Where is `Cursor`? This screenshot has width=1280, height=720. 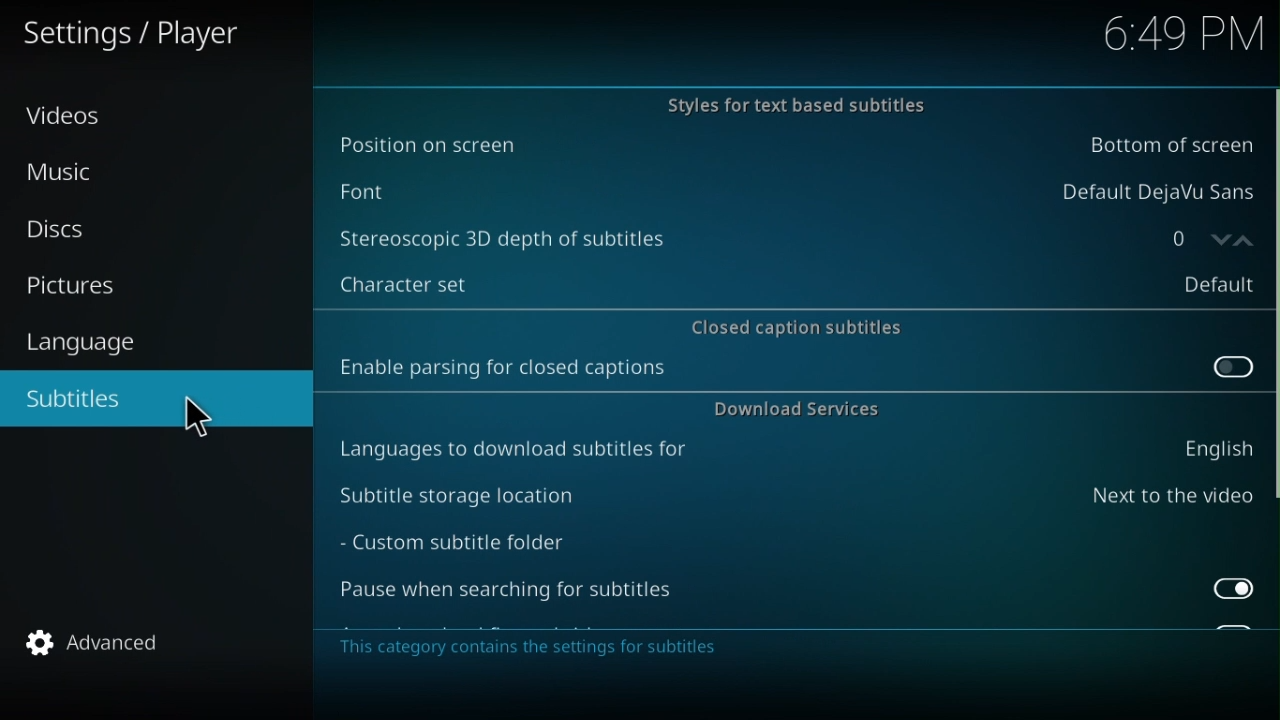
Cursor is located at coordinates (198, 418).